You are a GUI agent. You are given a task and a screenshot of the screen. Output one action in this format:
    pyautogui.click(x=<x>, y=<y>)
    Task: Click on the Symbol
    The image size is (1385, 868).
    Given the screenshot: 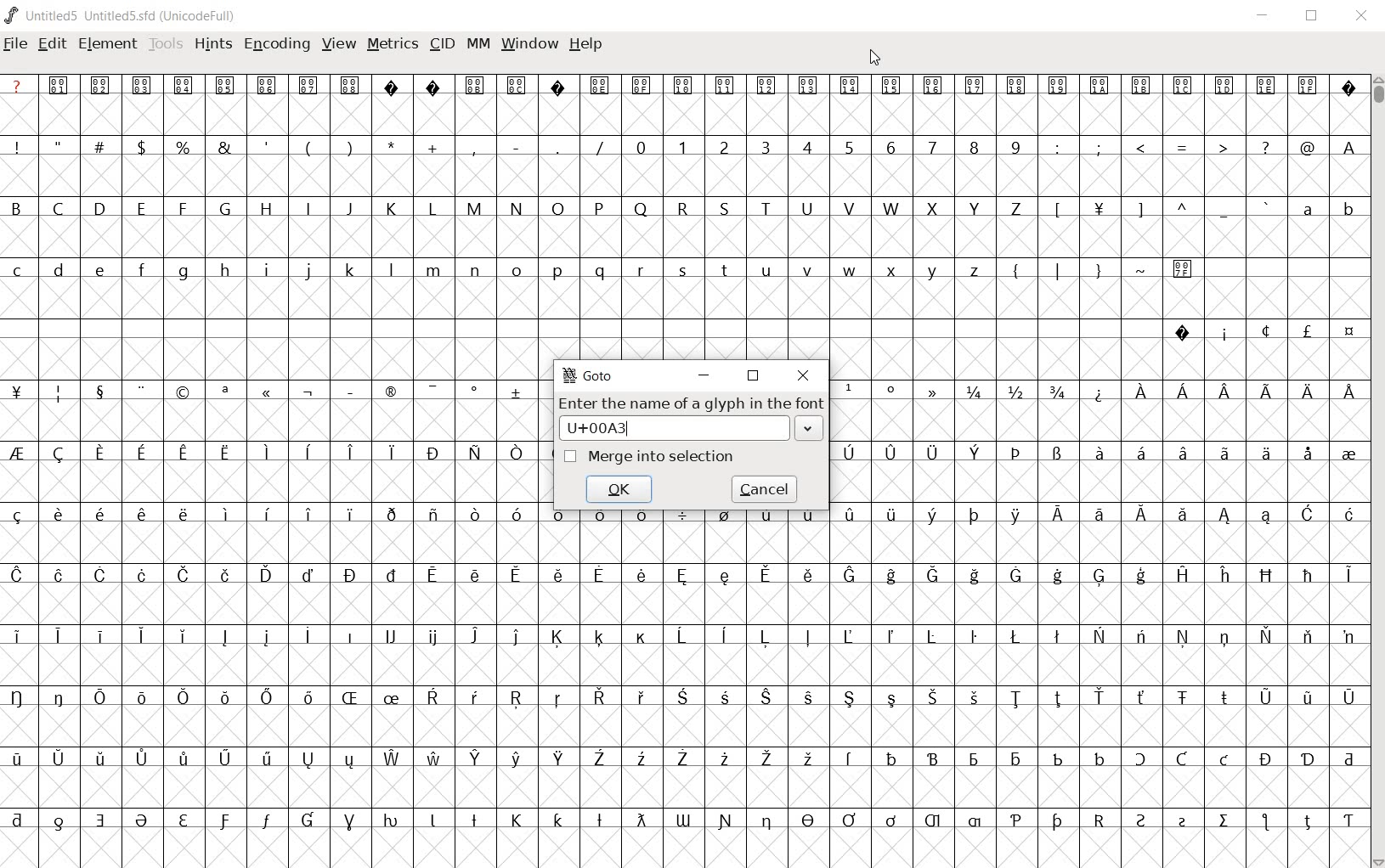 What is the action you would take?
    pyautogui.click(x=20, y=392)
    